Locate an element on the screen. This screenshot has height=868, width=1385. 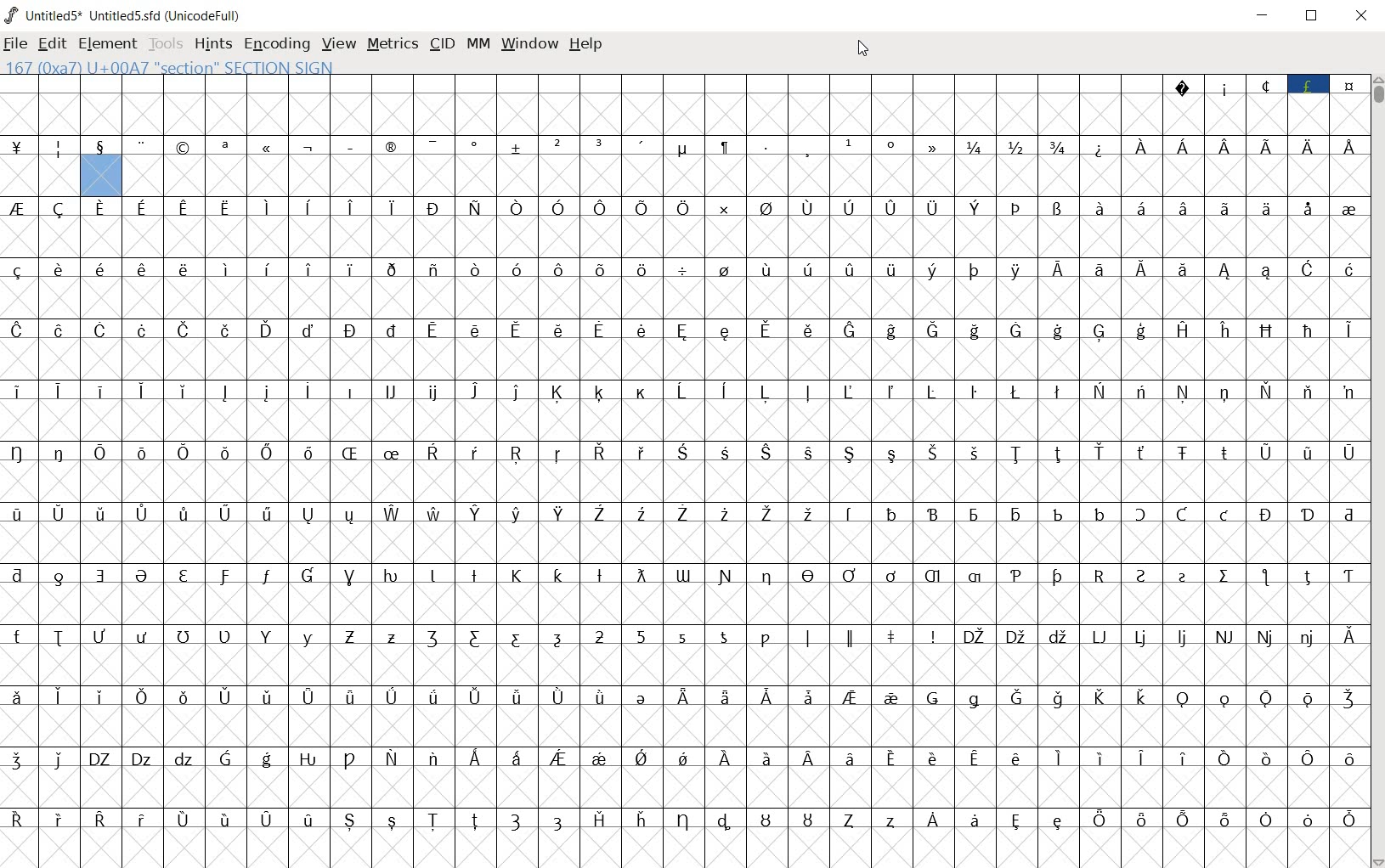
MINIMIZE is located at coordinates (1265, 15).